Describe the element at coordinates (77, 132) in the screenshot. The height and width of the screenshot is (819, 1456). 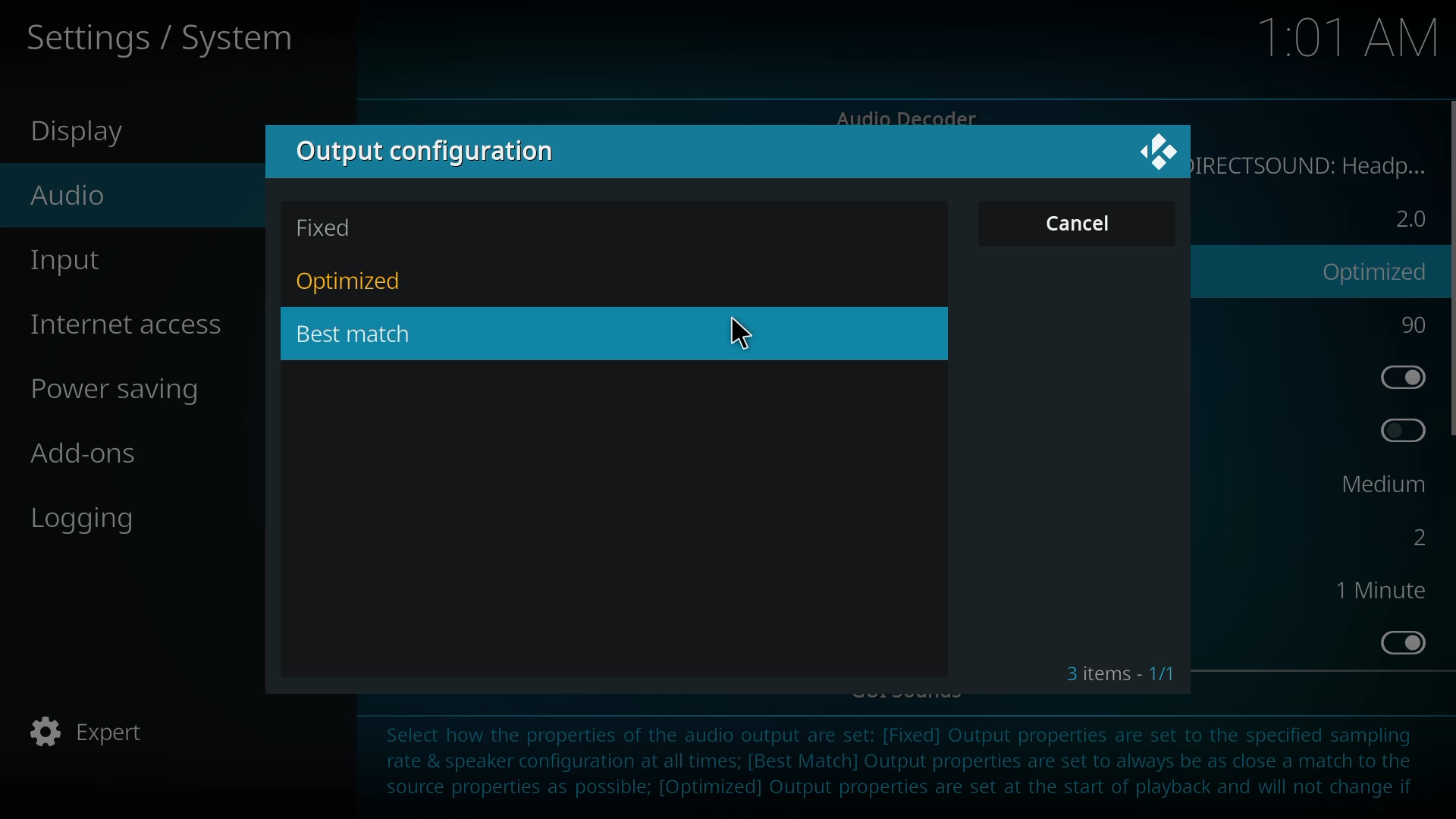
I see `display` at that location.